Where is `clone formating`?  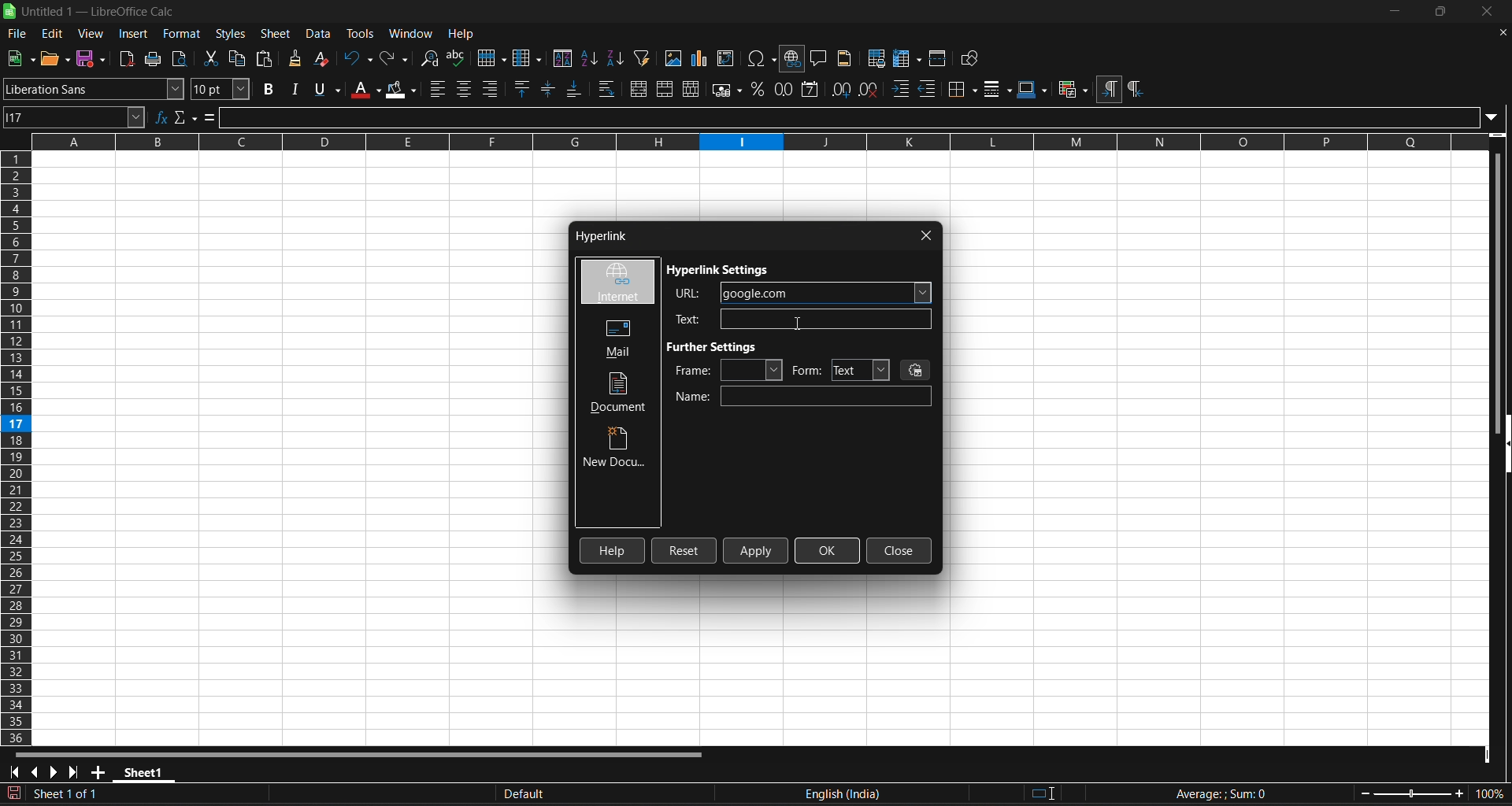
clone formating is located at coordinates (295, 59).